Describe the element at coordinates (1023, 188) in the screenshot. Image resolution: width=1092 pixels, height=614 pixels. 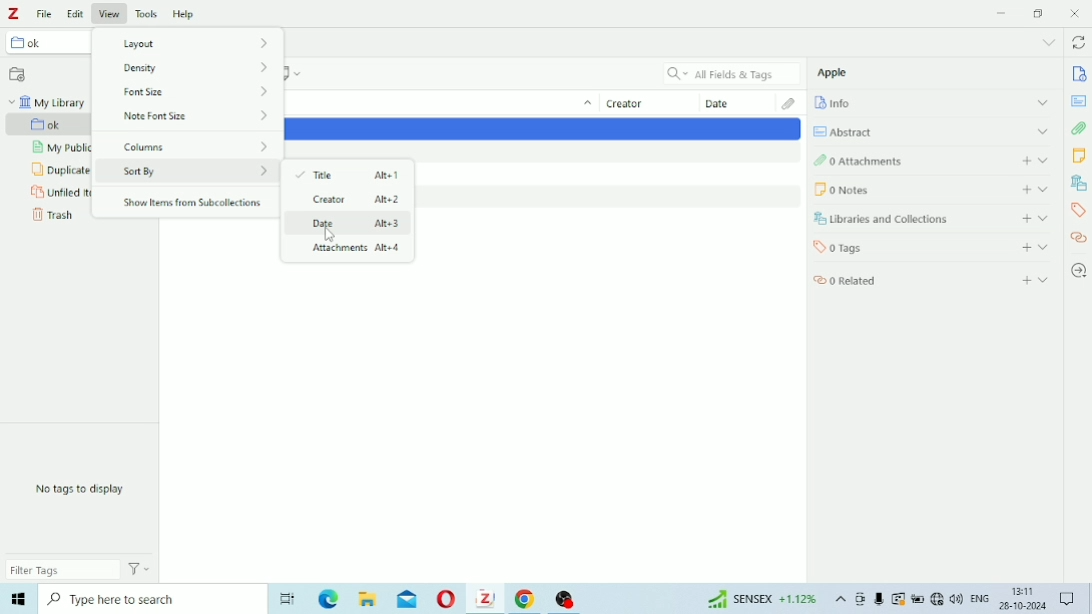
I see `add` at that location.